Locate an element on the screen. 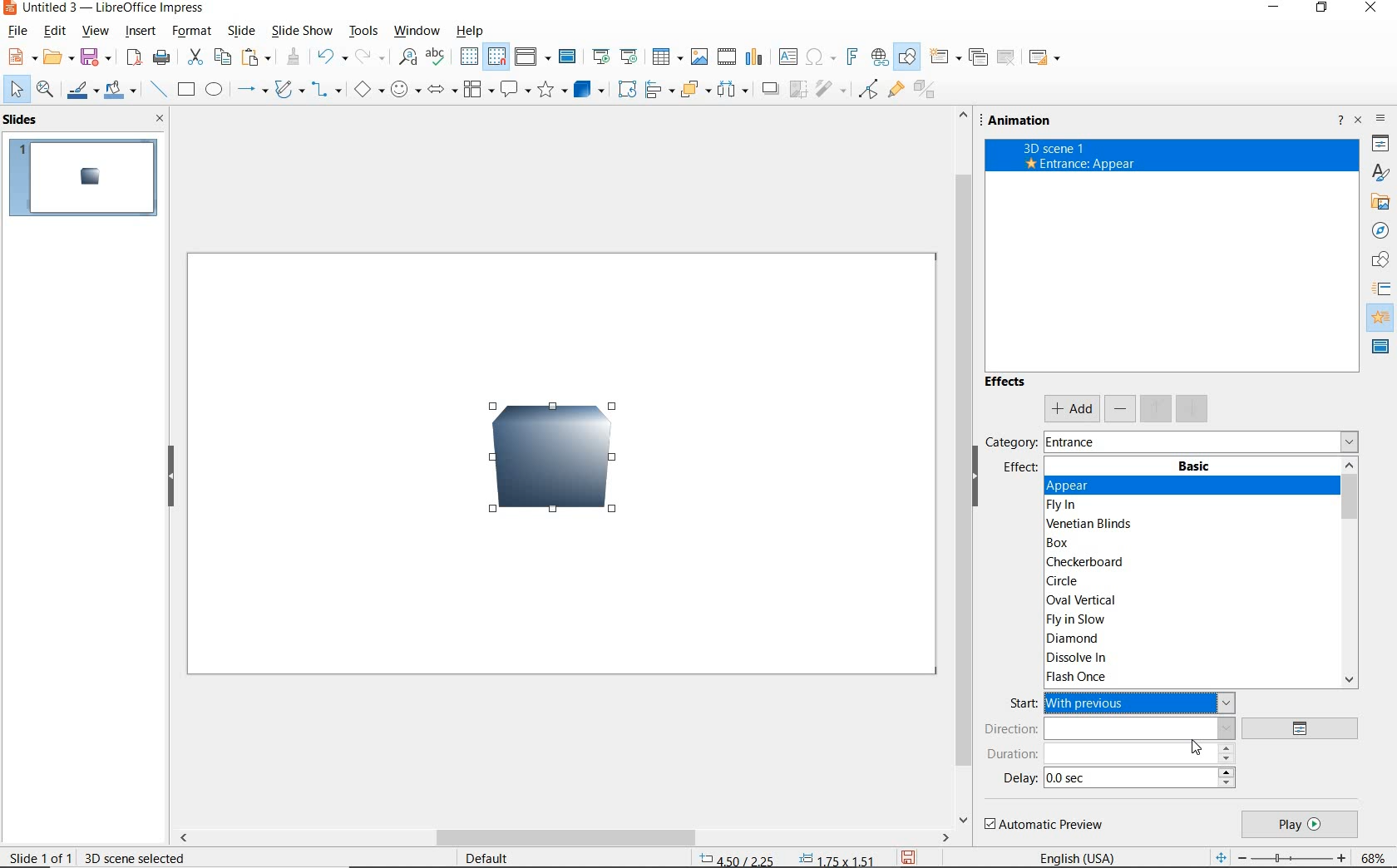 The image size is (1397, 868). PROPERTIES is located at coordinates (1380, 145).